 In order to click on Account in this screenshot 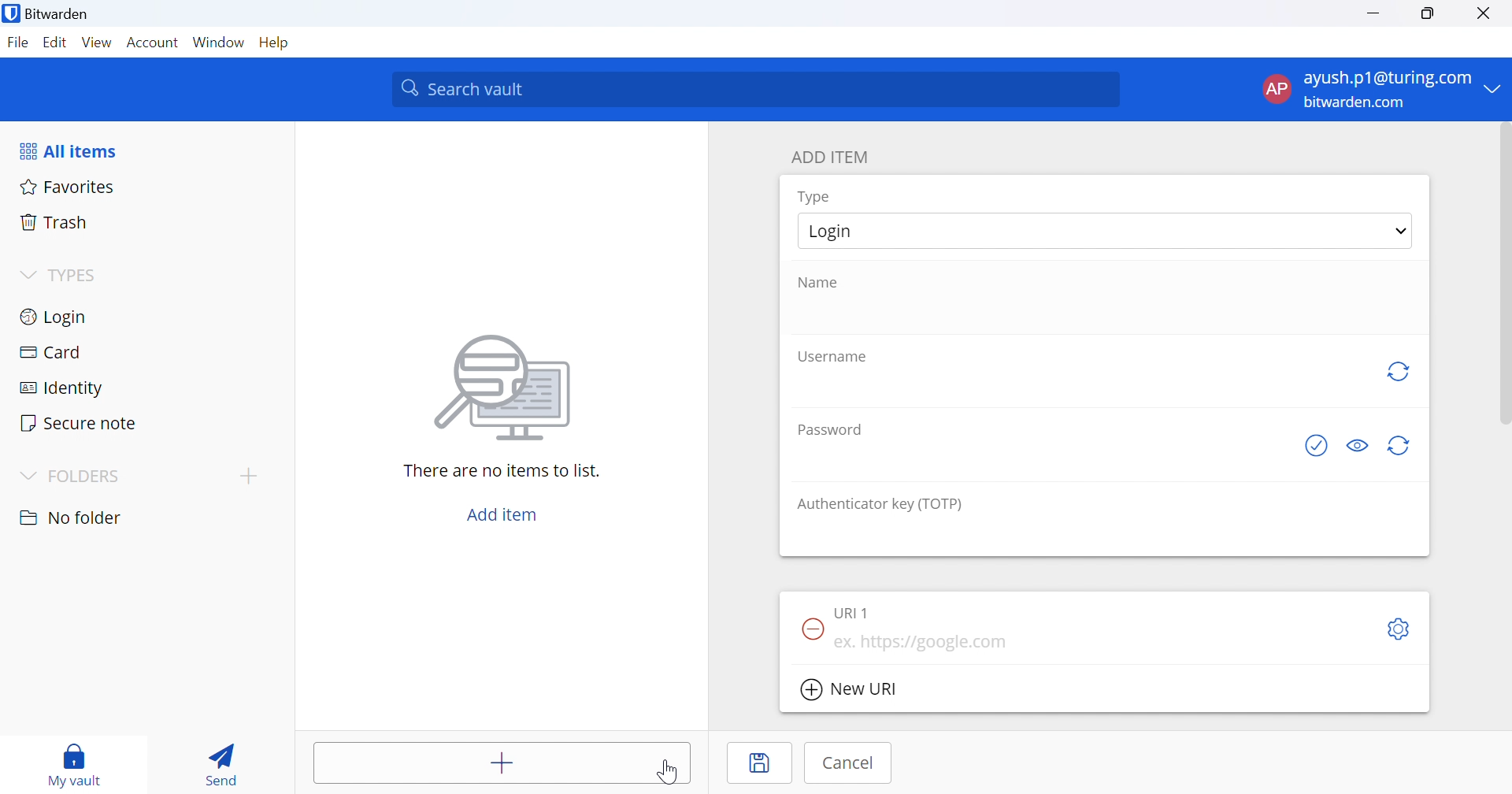, I will do `click(154, 43)`.